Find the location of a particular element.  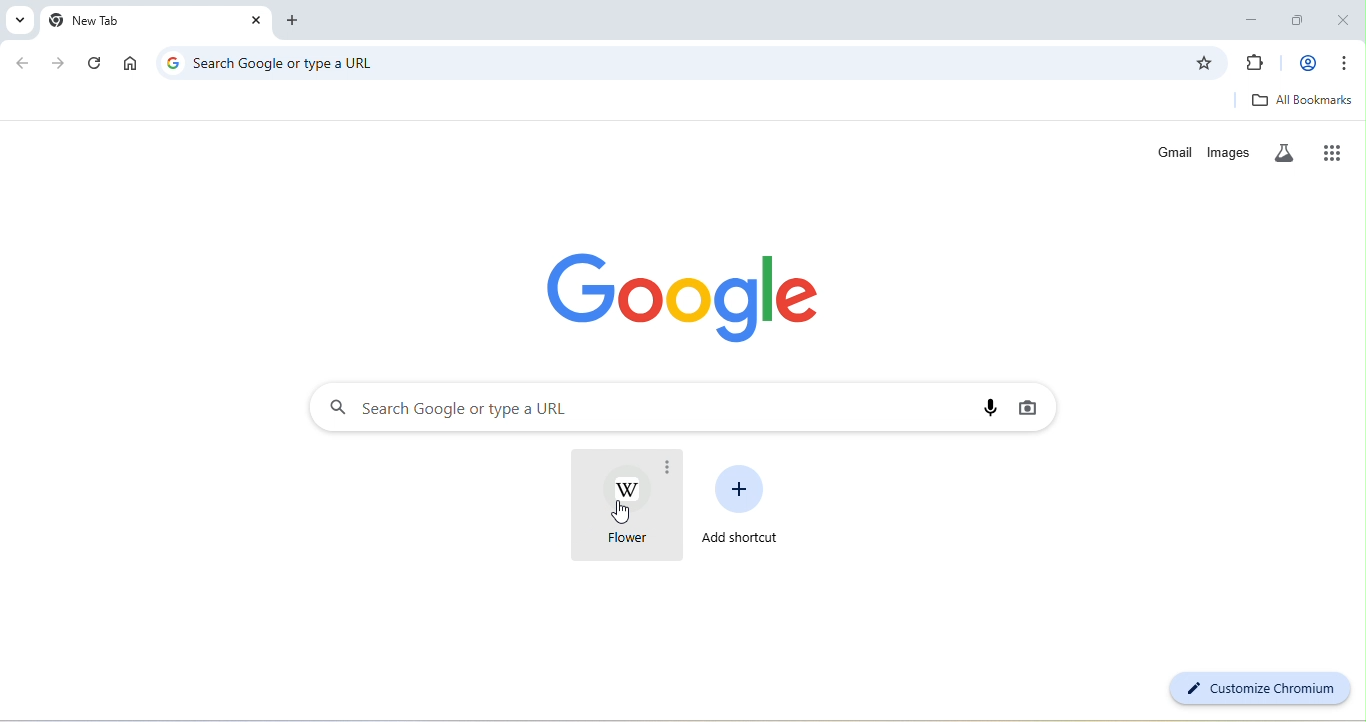

close is located at coordinates (1345, 17).